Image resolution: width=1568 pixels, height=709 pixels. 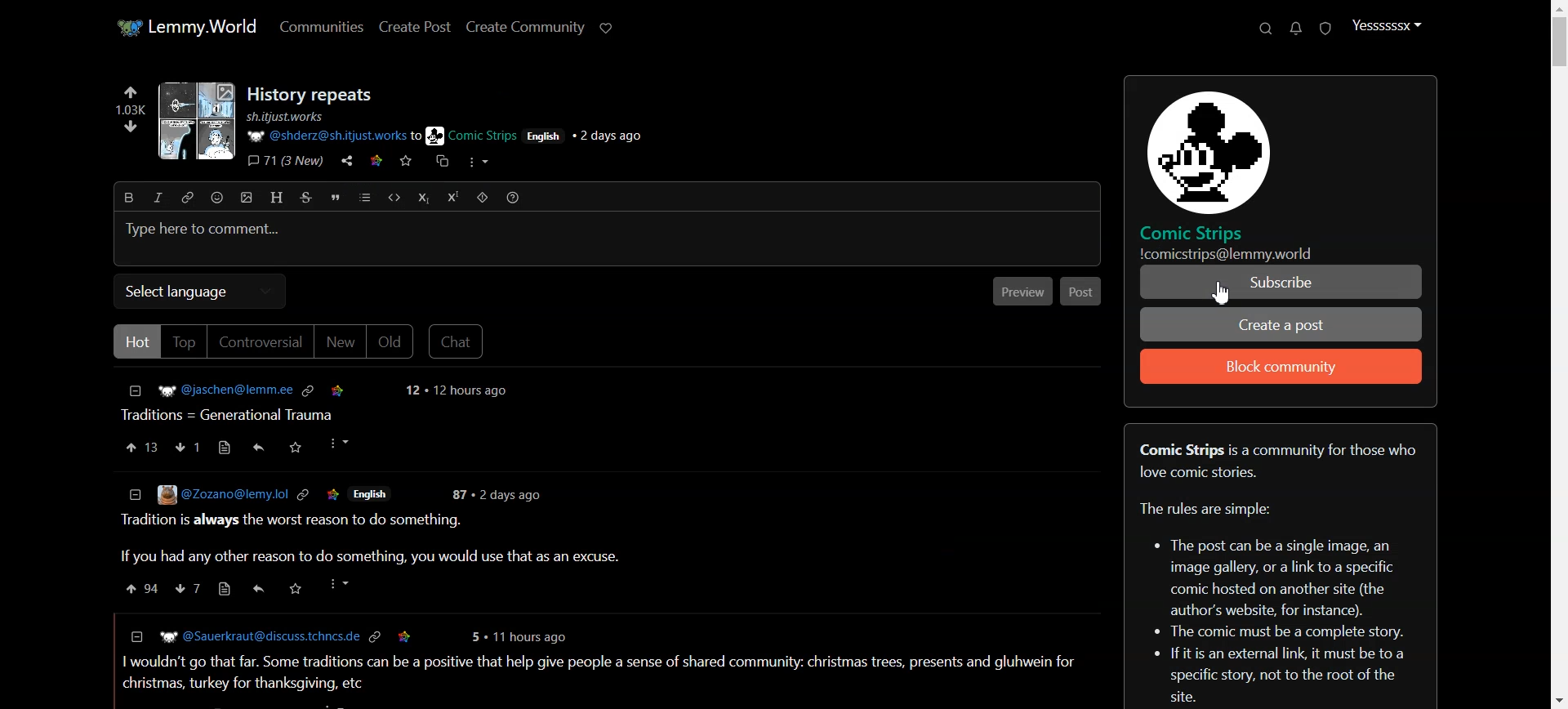 What do you see at coordinates (287, 117) in the screenshot?
I see `sh.itjust.works` at bounding box center [287, 117].